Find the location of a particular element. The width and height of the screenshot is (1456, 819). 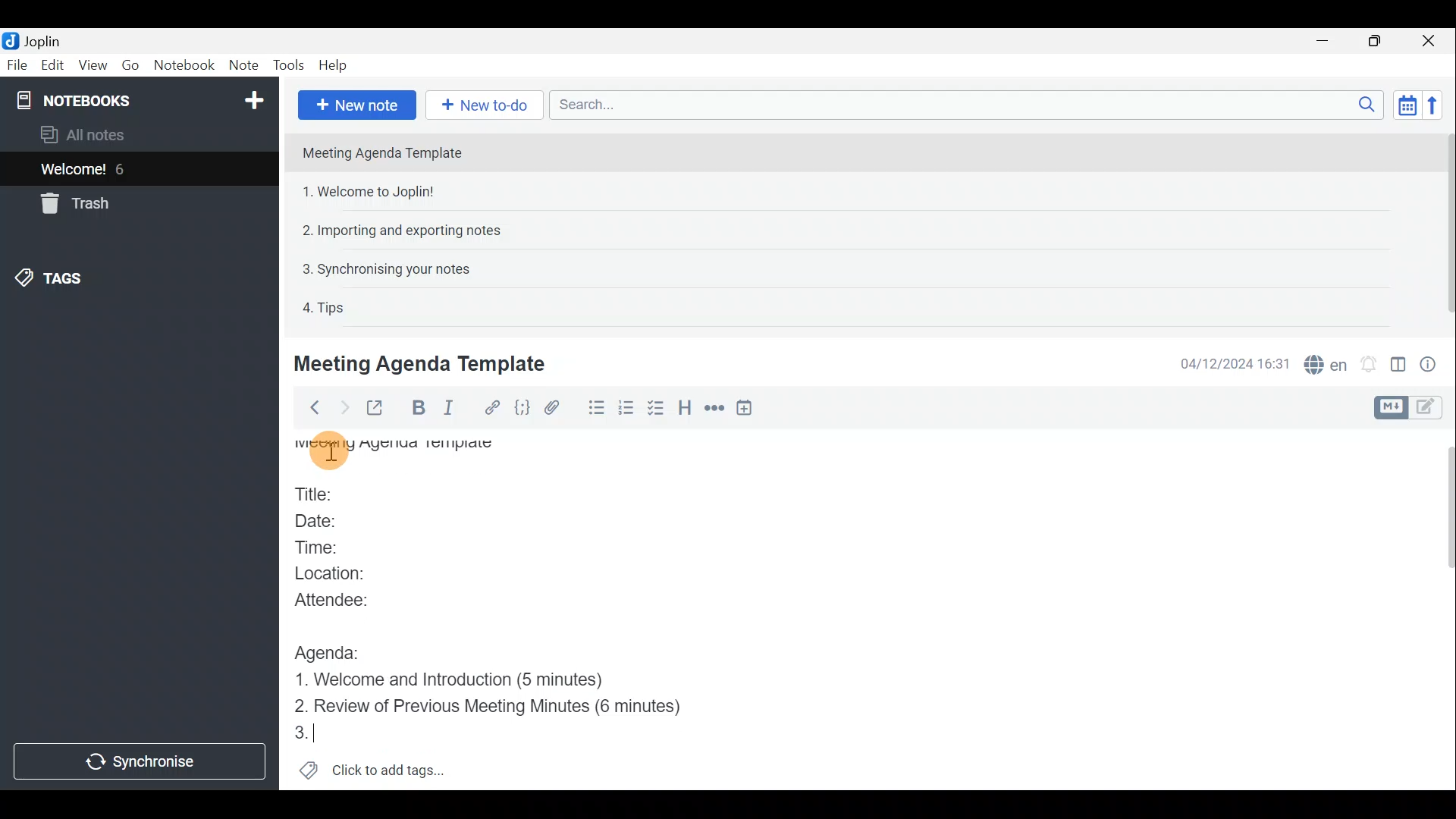

View is located at coordinates (90, 67).